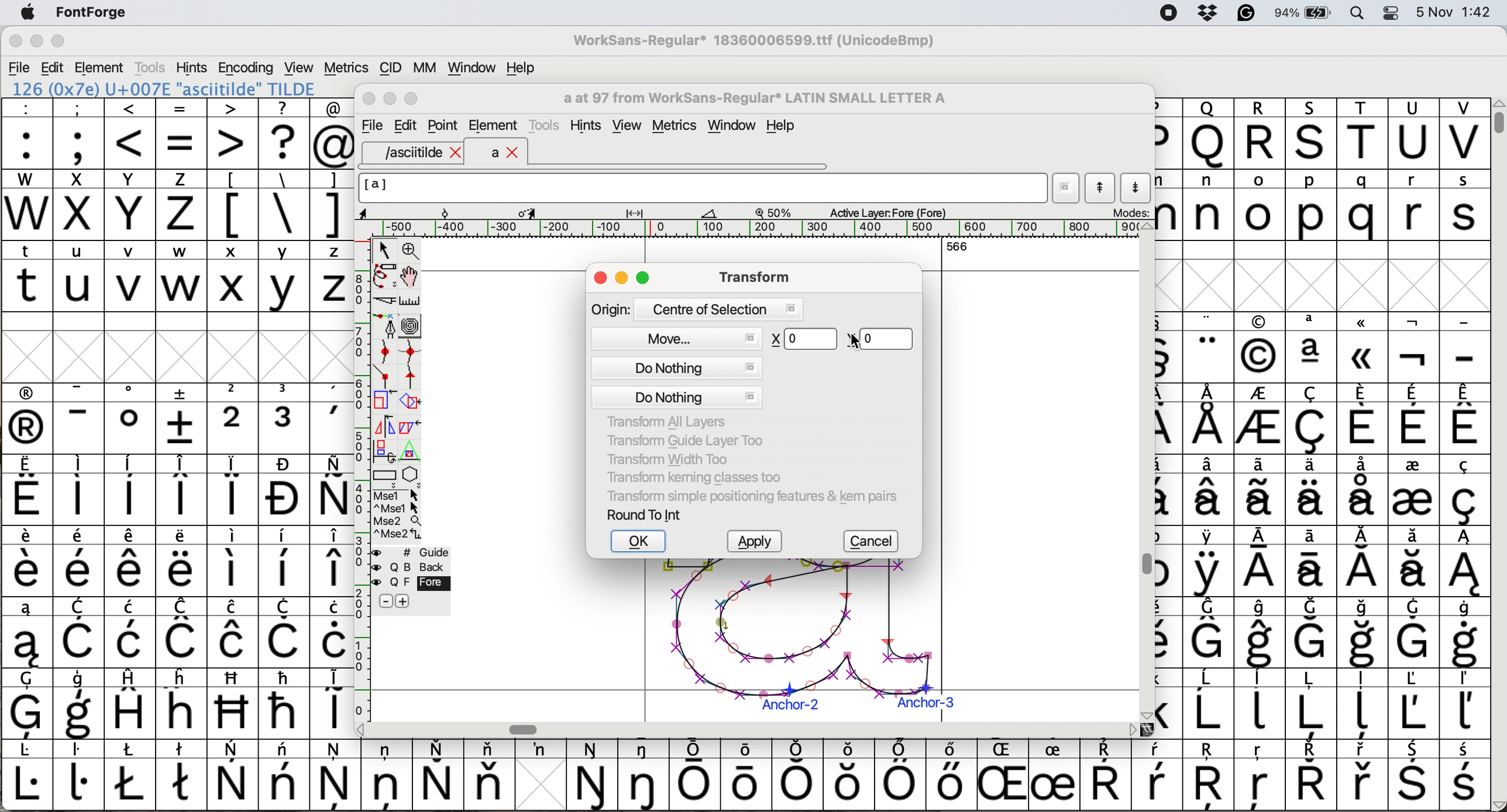 The width and height of the screenshot is (1507, 812). I want to click on move, so click(677, 337).